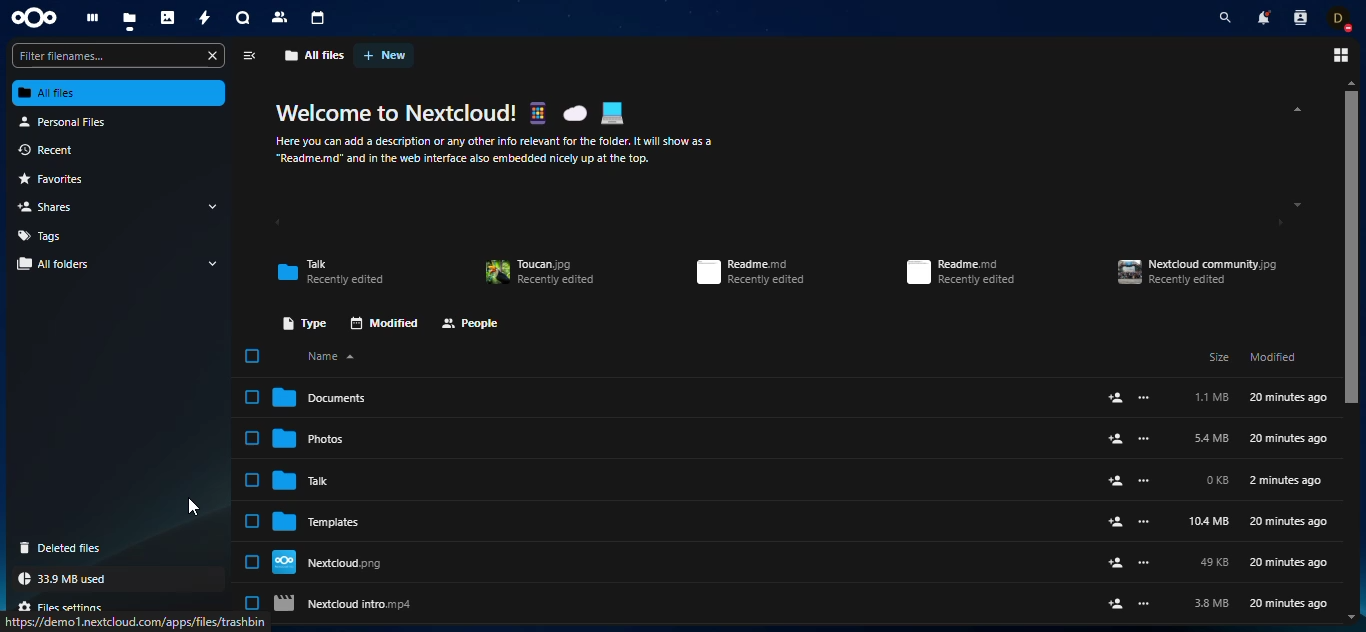 Image resolution: width=1366 pixels, height=632 pixels. What do you see at coordinates (1213, 397) in the screenshot?
I see `1.1 MB` at bounding box center [1213, 397].